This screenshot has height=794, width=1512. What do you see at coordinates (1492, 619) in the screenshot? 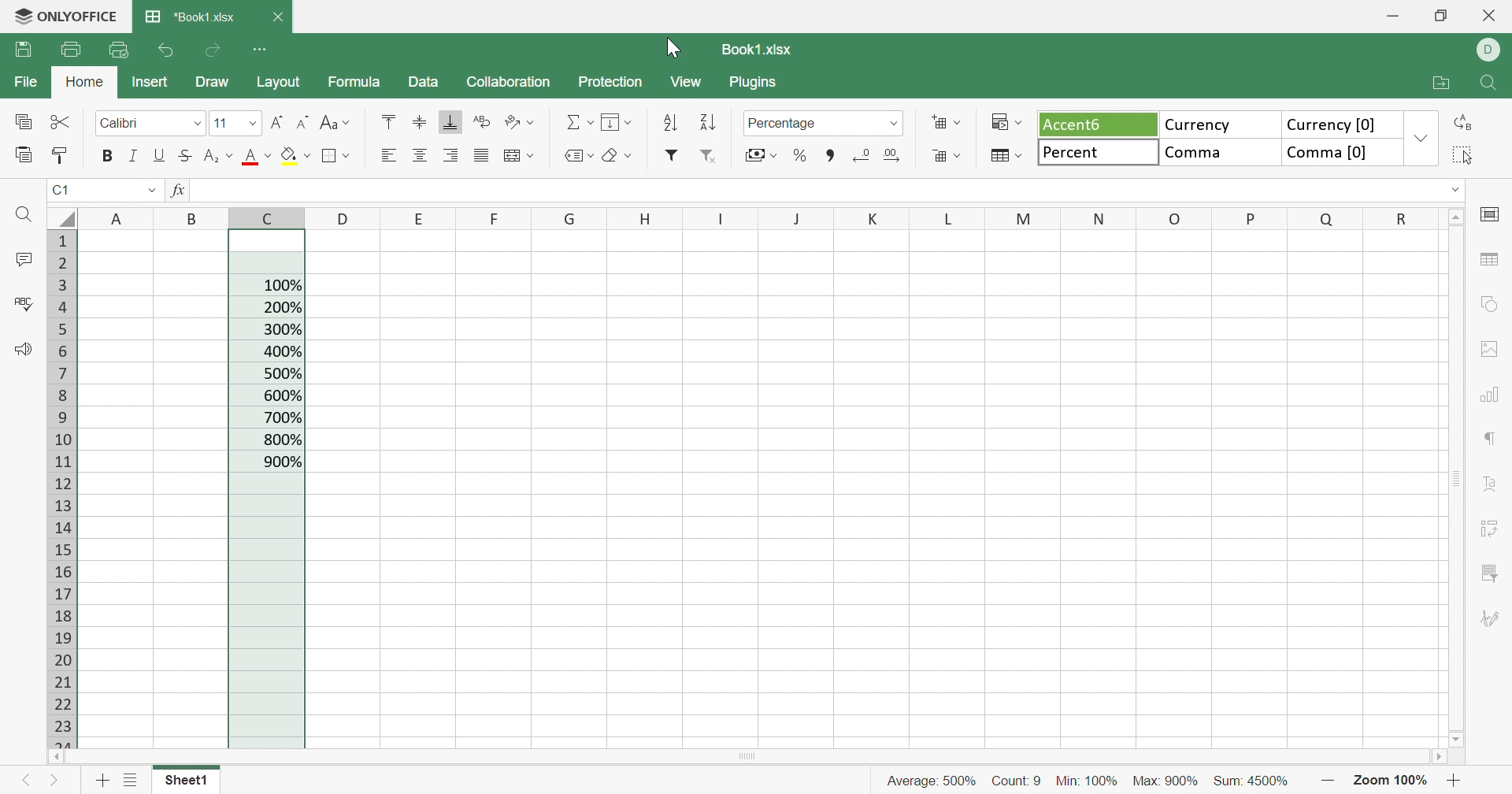
I see `Signature settings` at bounding box center [1492, 619].